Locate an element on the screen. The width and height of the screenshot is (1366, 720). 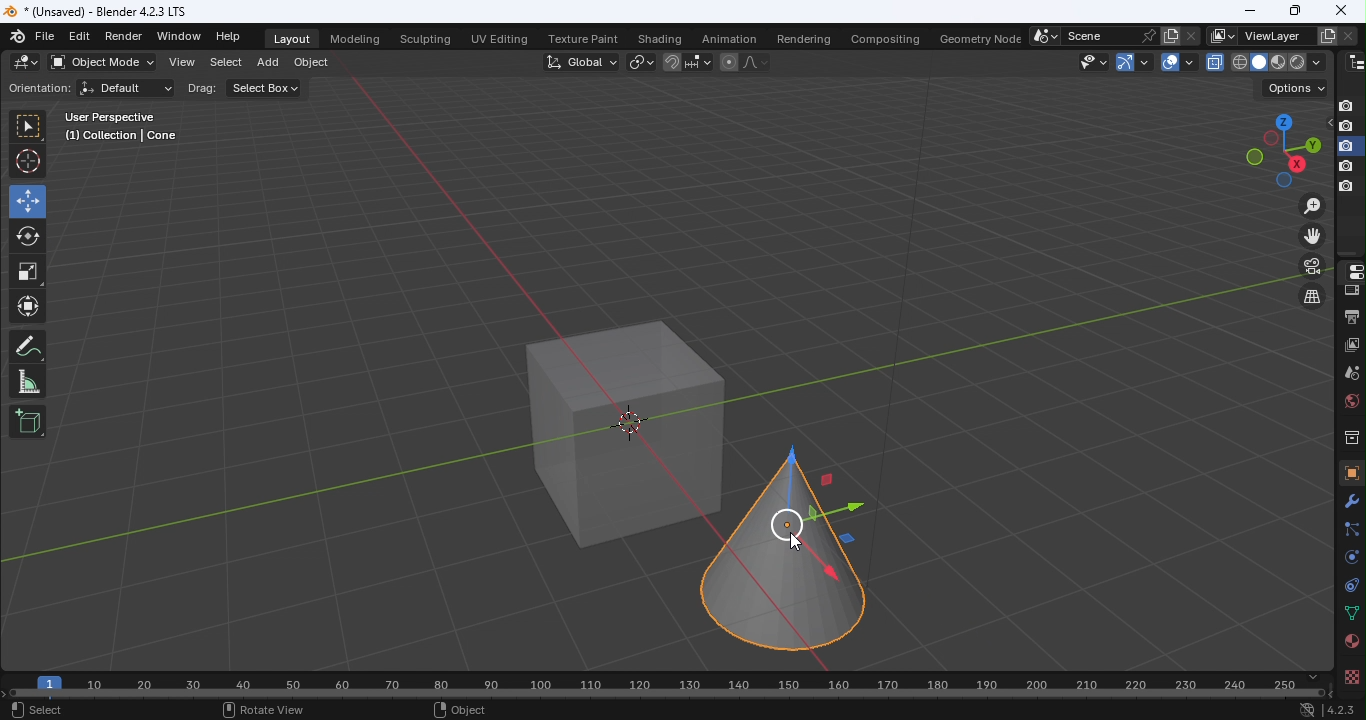
Show overlays is located at coordinates (1169, 62).